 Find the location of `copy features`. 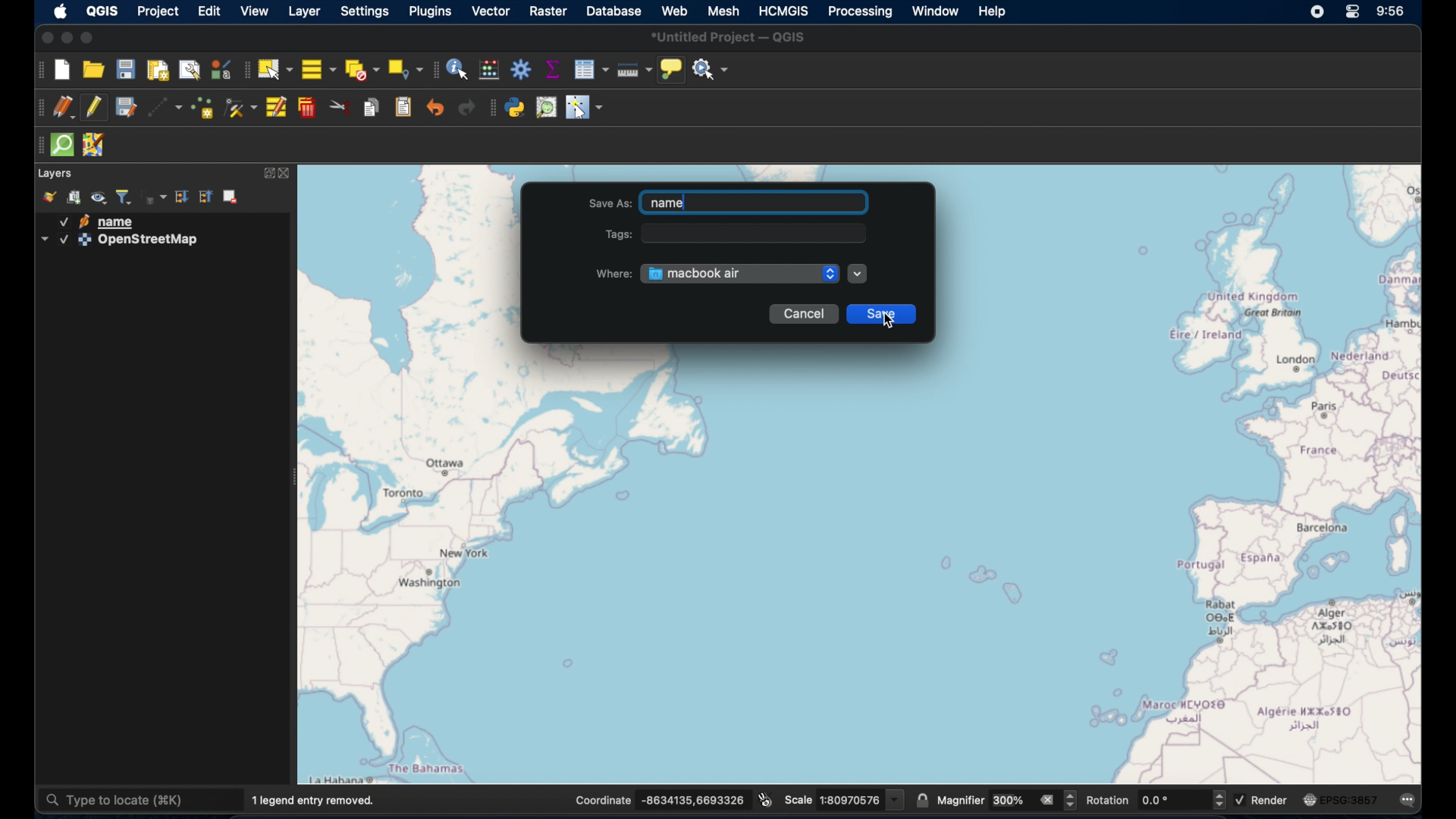

copy features is located at coordinates (372, 107).